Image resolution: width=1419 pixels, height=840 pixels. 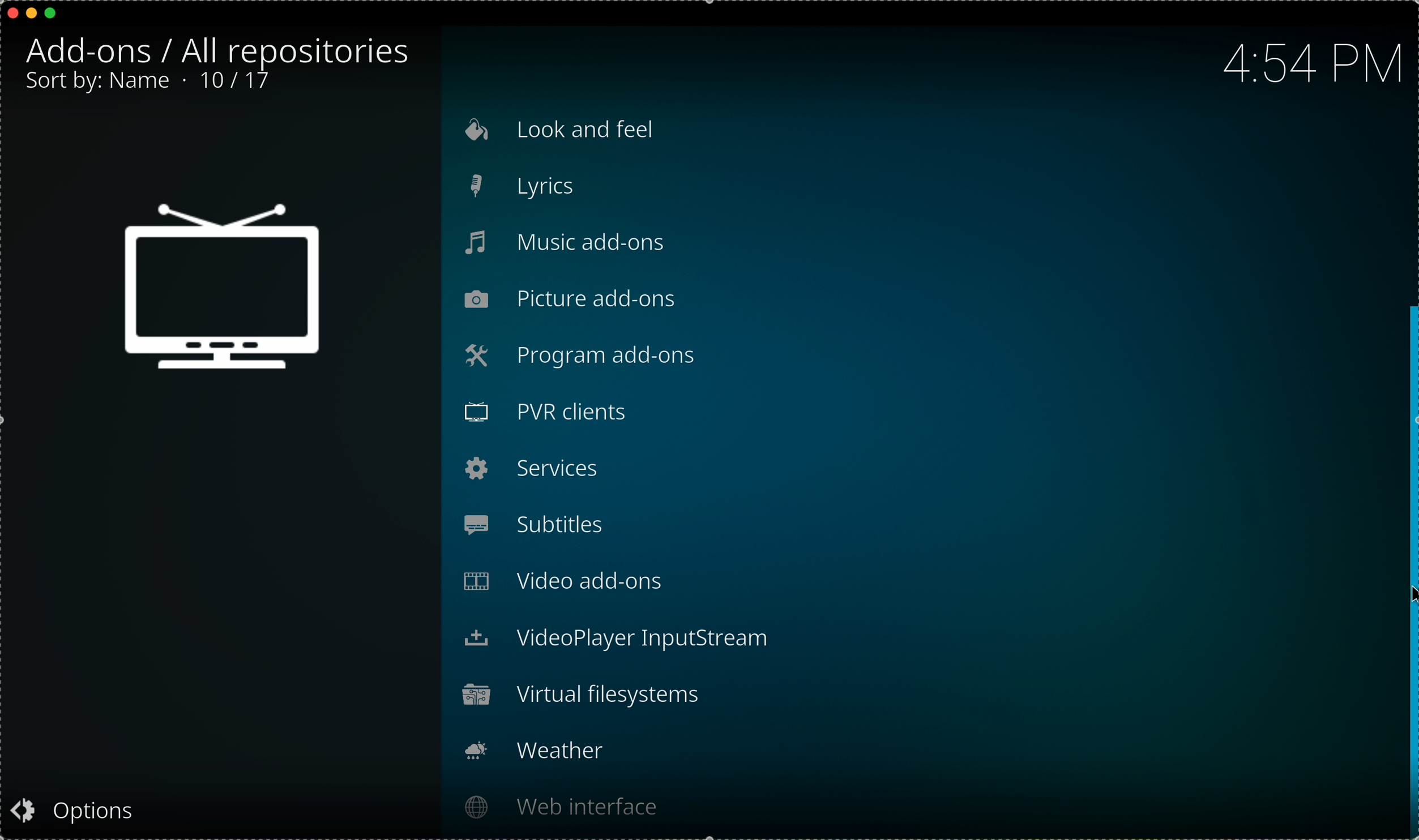 I want to click on all repositories, so click(x=297, y=49).